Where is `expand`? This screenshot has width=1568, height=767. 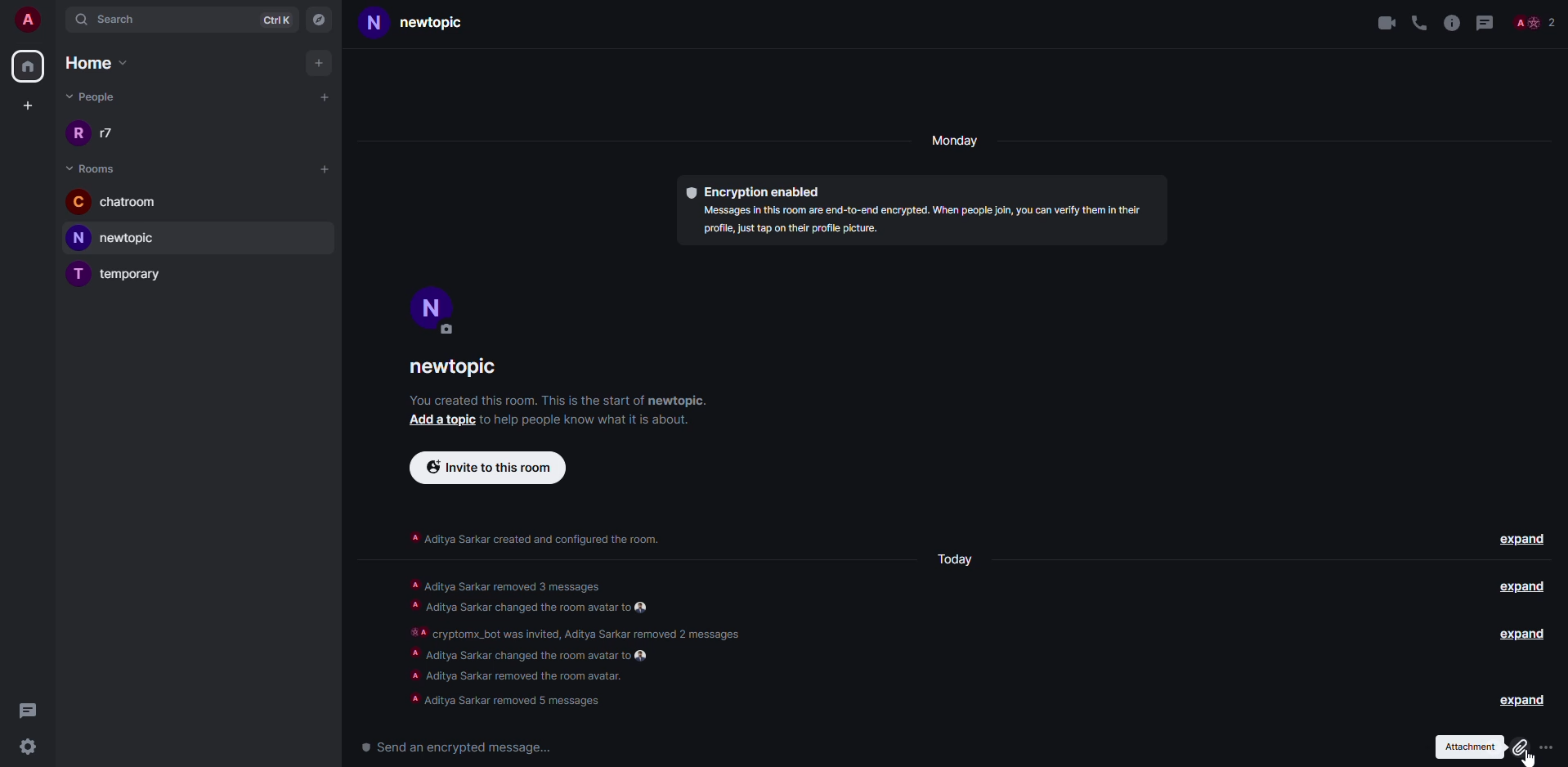 expand is located at coordinates (1519, 702).